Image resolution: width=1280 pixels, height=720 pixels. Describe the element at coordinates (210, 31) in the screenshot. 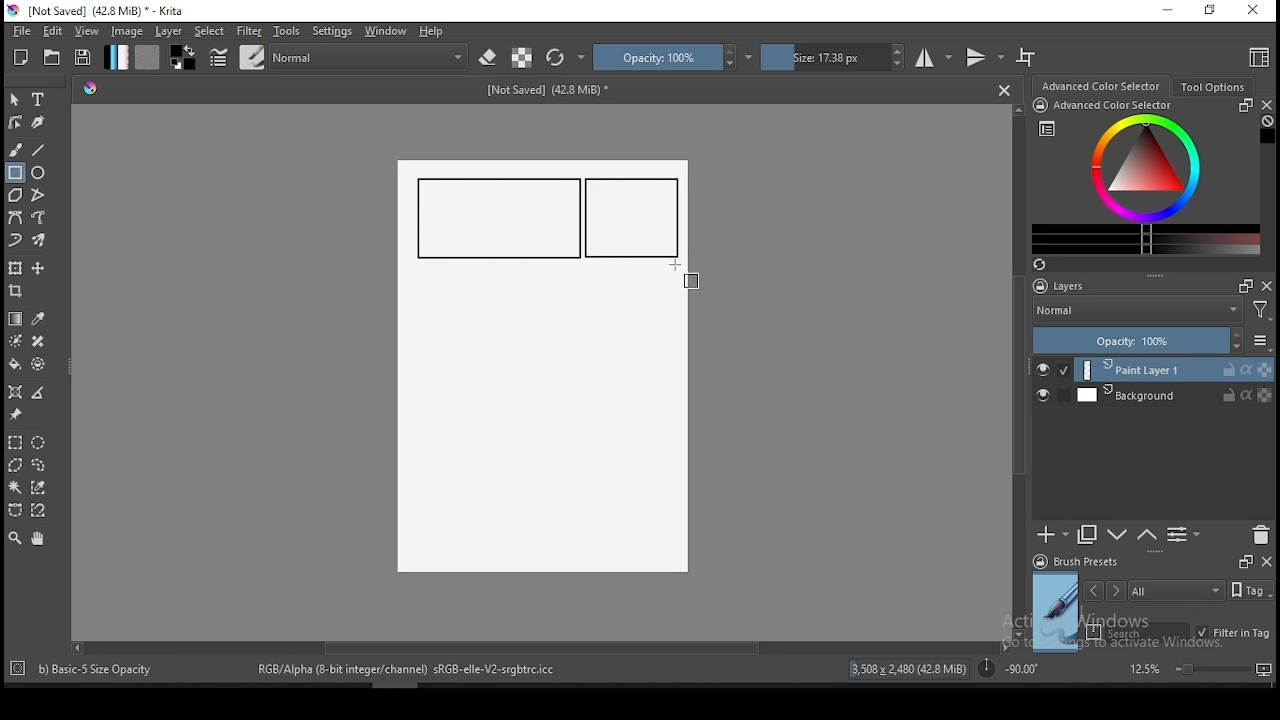

I see `select` at that location.